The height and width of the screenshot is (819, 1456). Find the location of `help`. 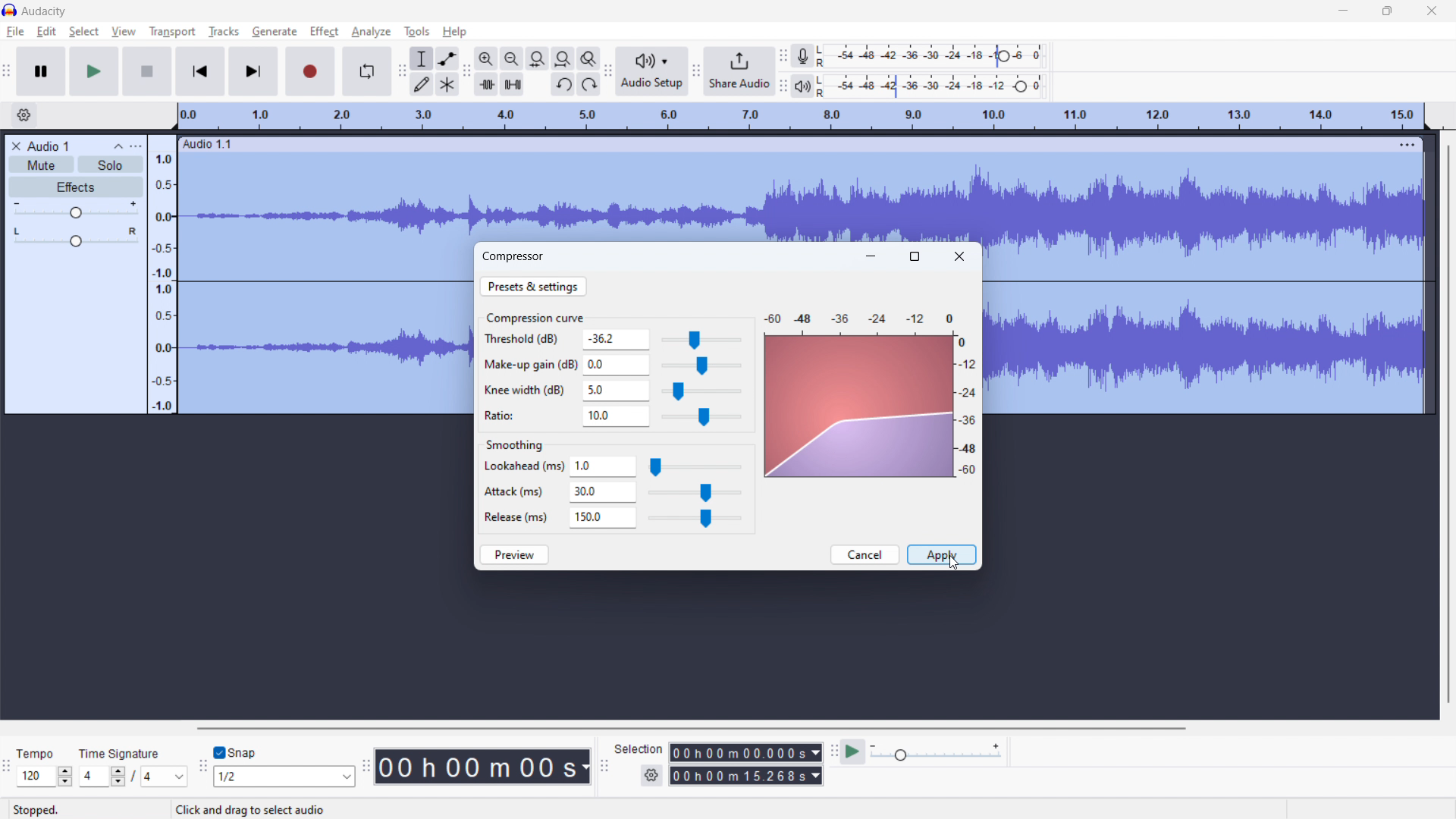

help is located at coordinates (455, 32).